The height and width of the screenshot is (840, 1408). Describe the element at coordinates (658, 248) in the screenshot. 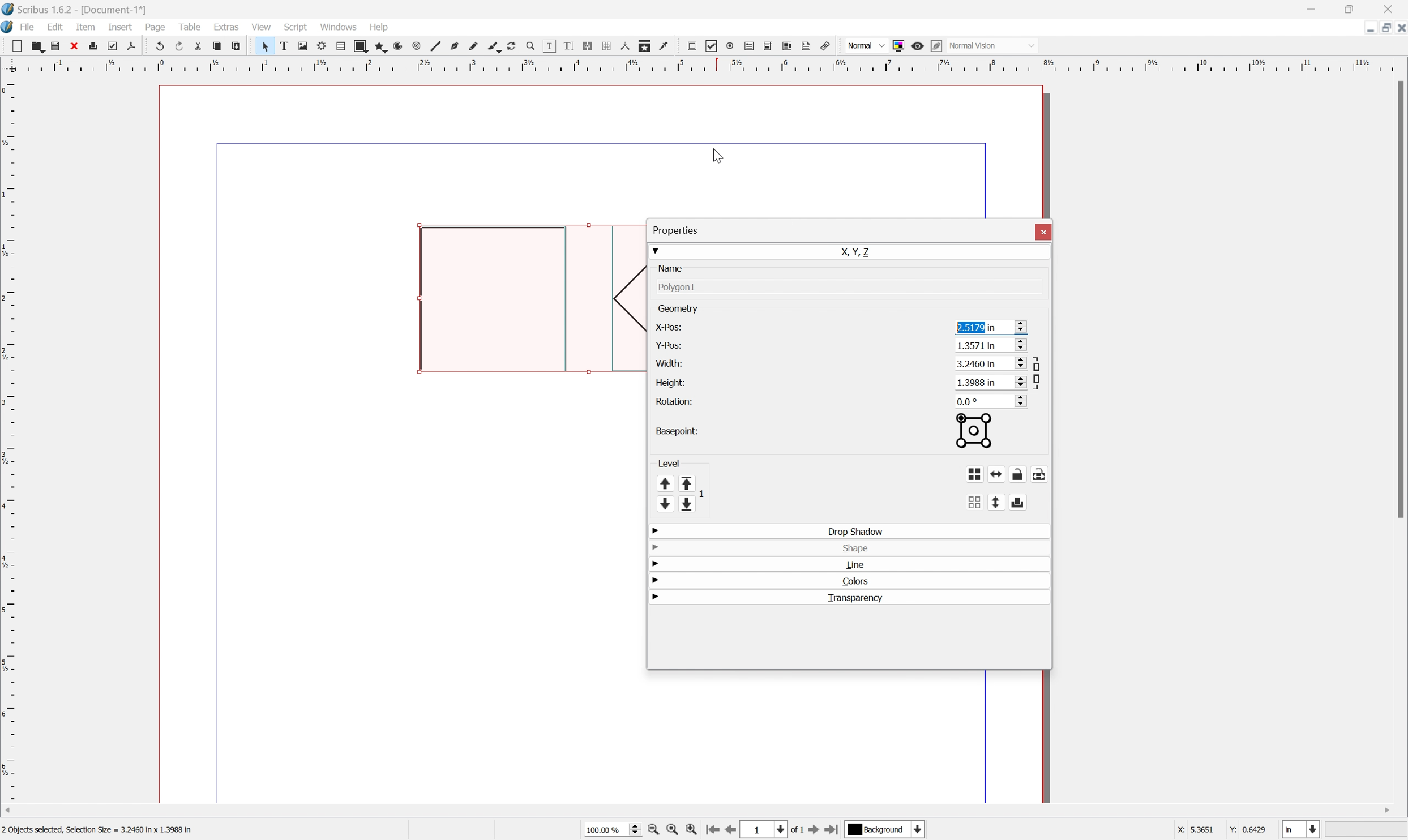

I see `drop down` at that location.